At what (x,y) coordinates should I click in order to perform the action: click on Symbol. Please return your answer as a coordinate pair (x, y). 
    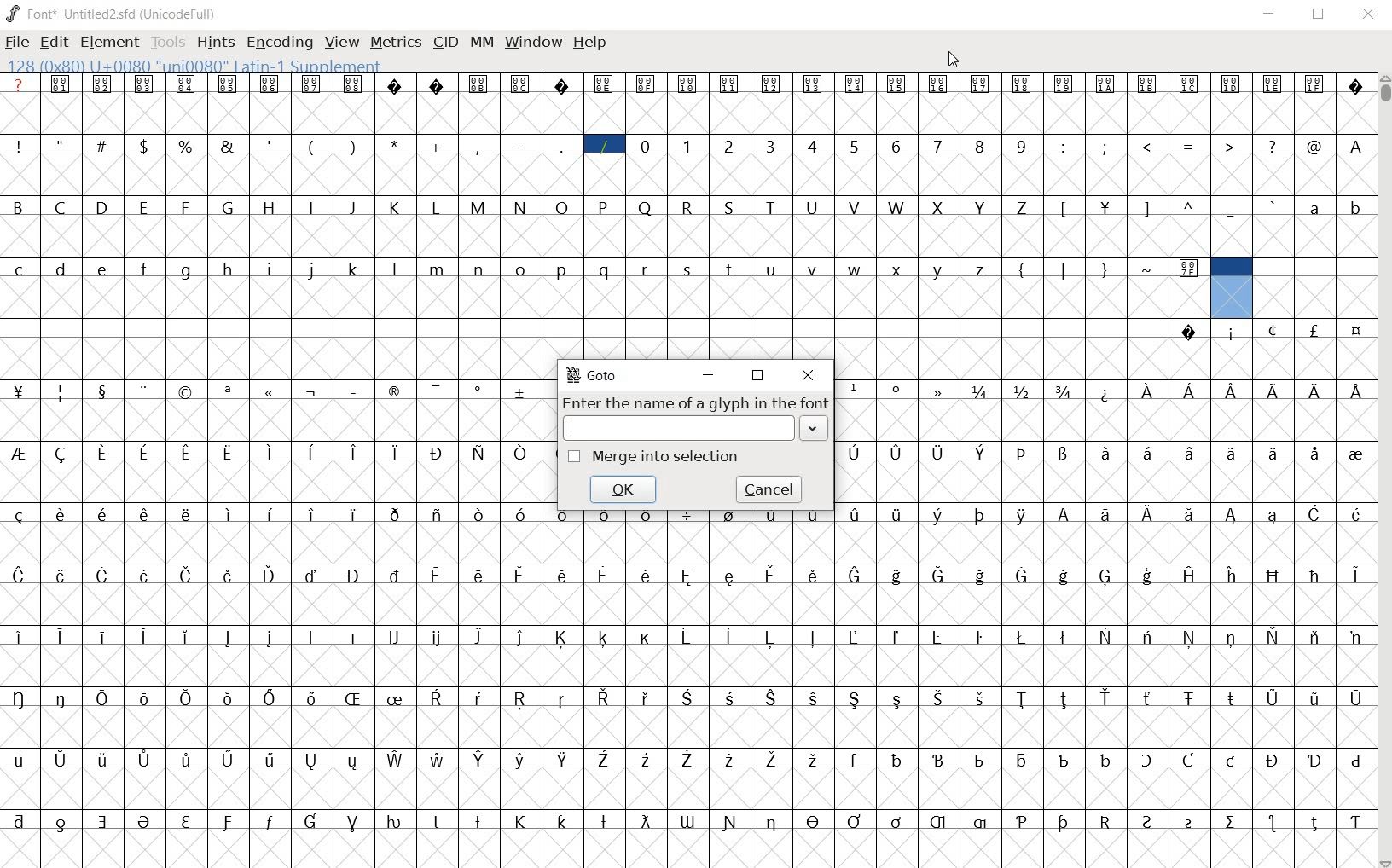
    Looking at the image, I should click on (520, 574).